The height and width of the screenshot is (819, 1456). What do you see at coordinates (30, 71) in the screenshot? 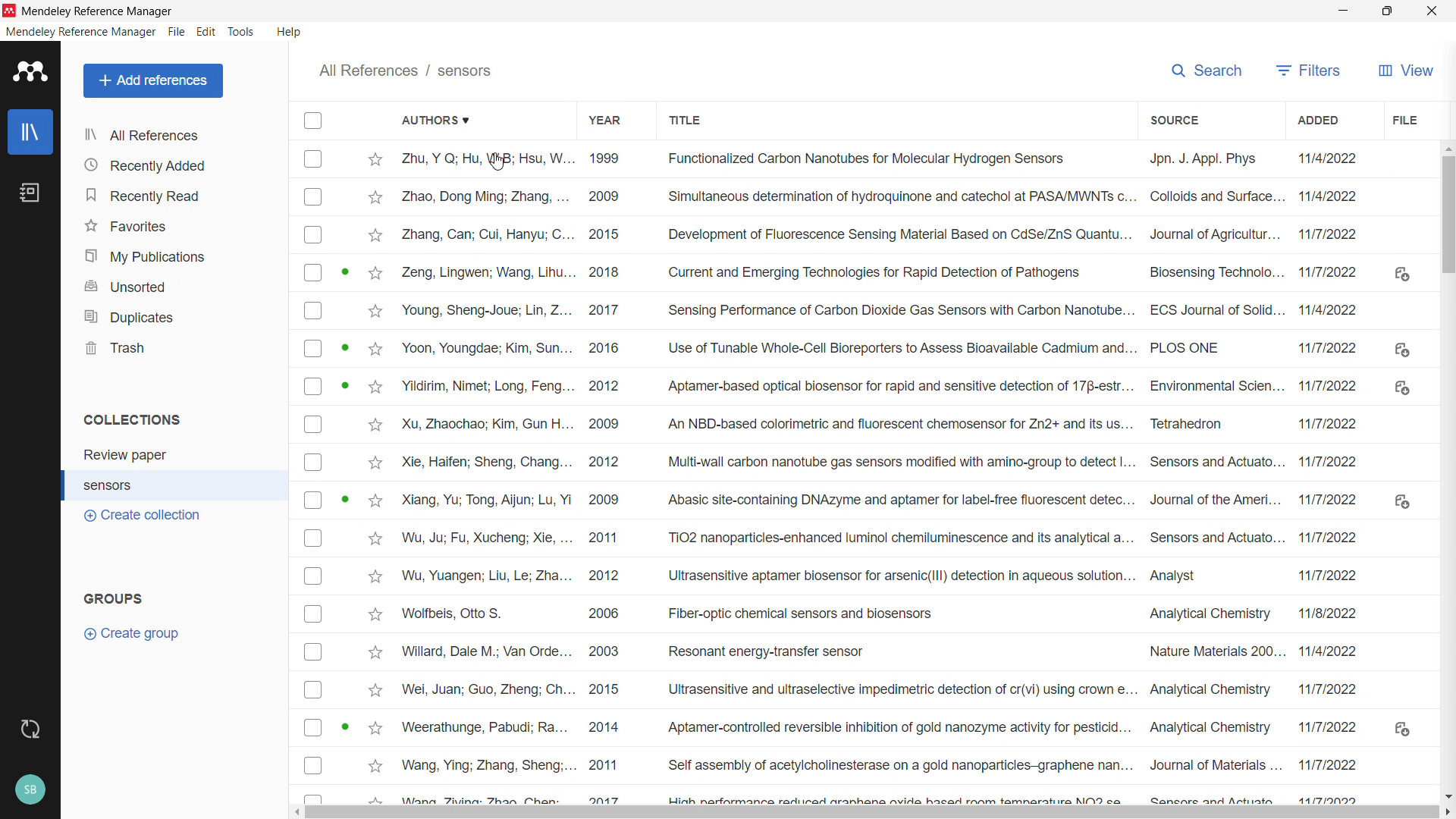
I see `Logo ` at bounding box center [30, 71].